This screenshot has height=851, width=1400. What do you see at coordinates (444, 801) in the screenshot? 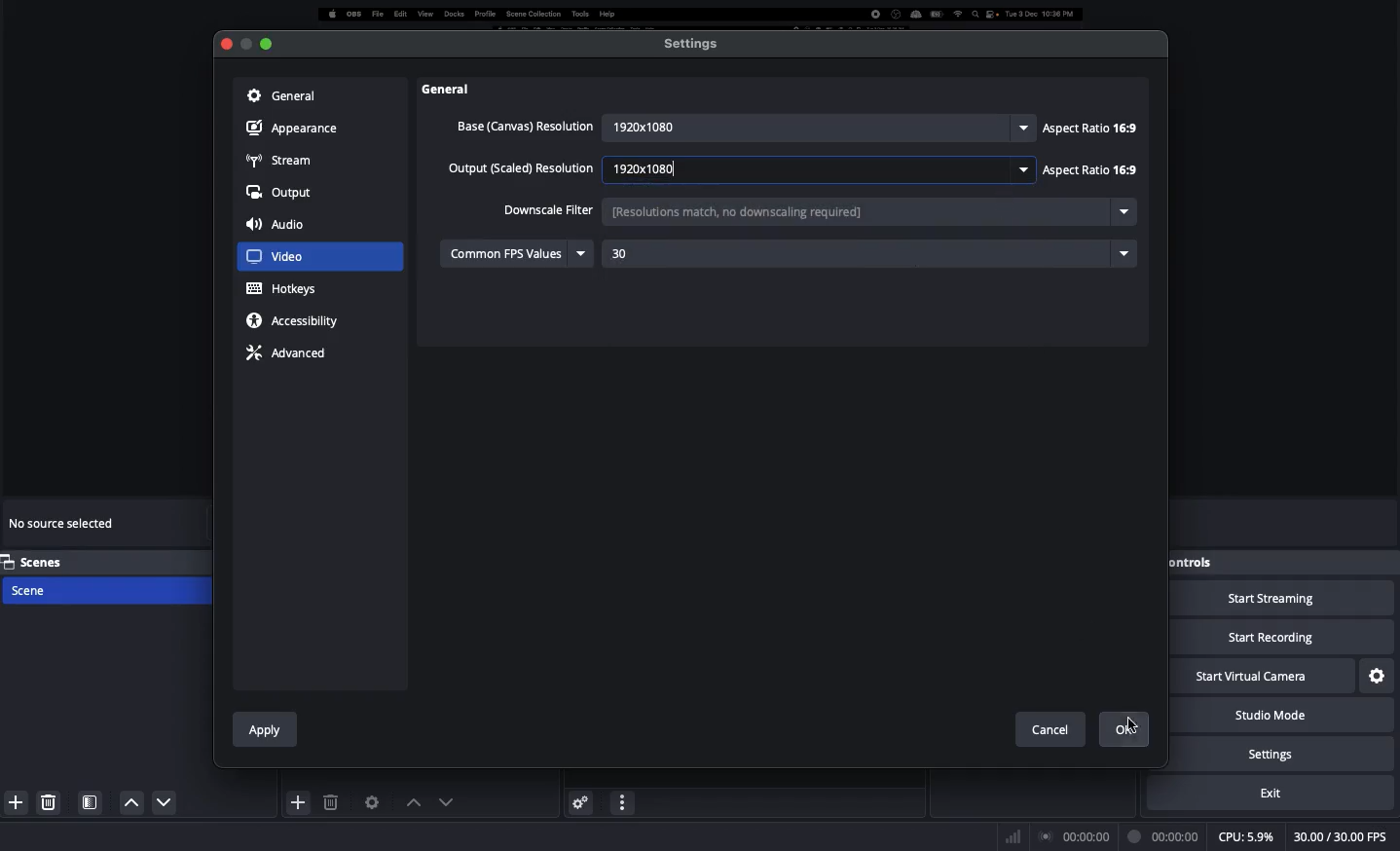
I see `Move down` at bounding box center [444, 801].